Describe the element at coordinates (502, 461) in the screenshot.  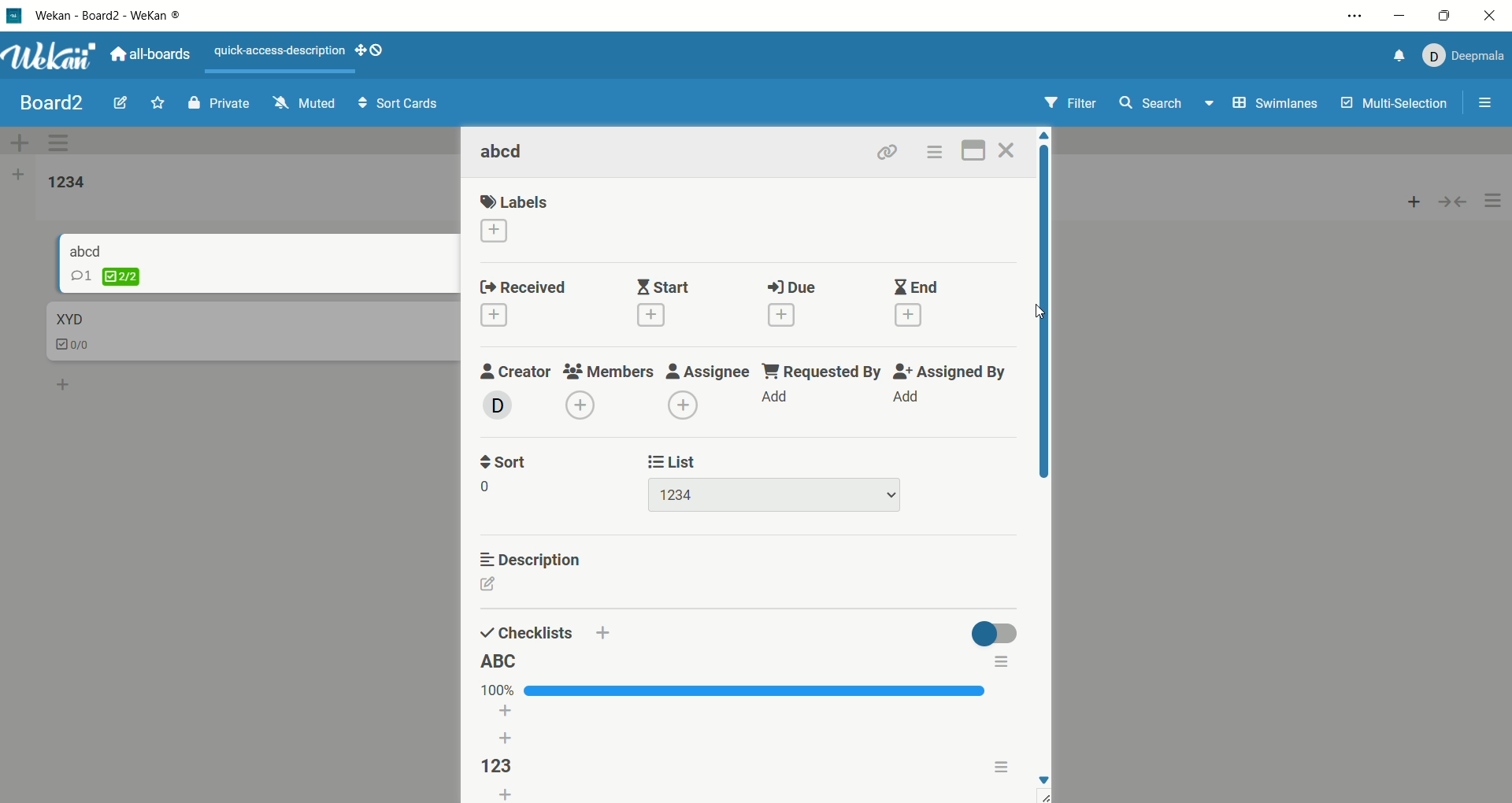
I see `sort` at that location.